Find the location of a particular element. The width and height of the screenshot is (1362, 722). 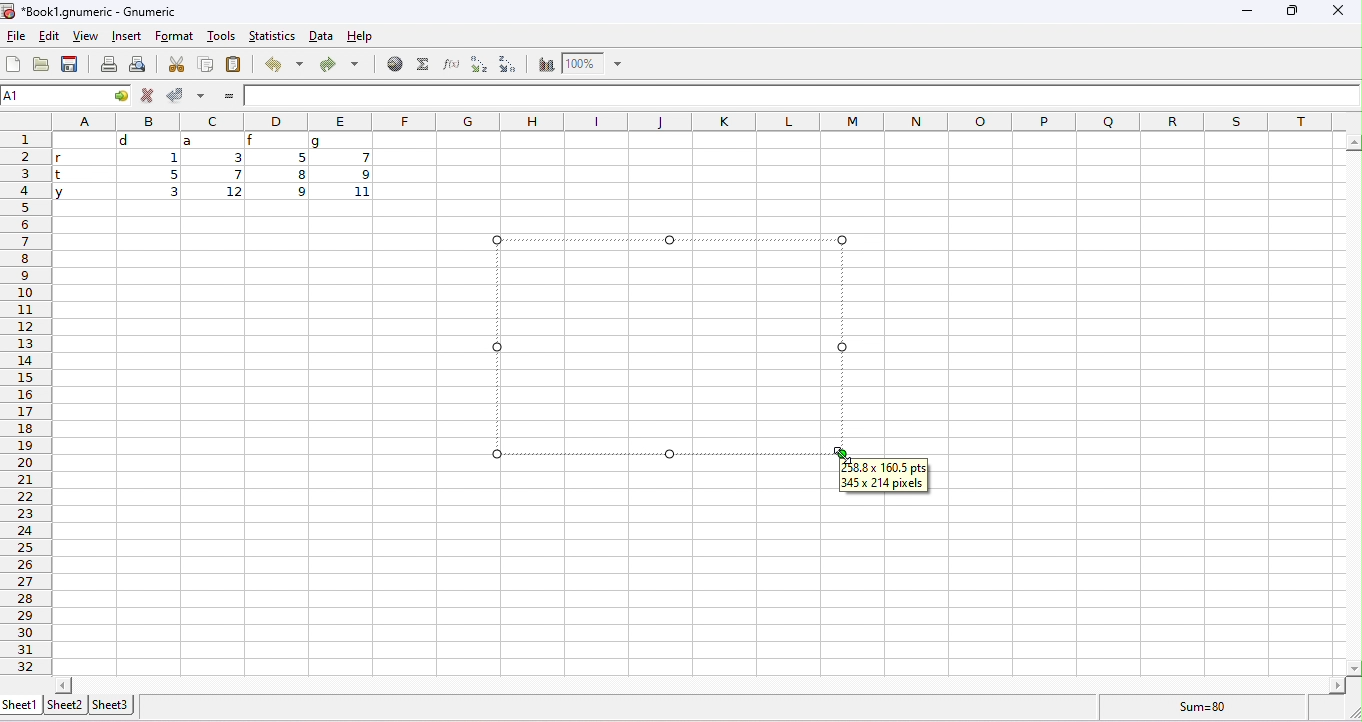

save is located at coordinates (70, 63).